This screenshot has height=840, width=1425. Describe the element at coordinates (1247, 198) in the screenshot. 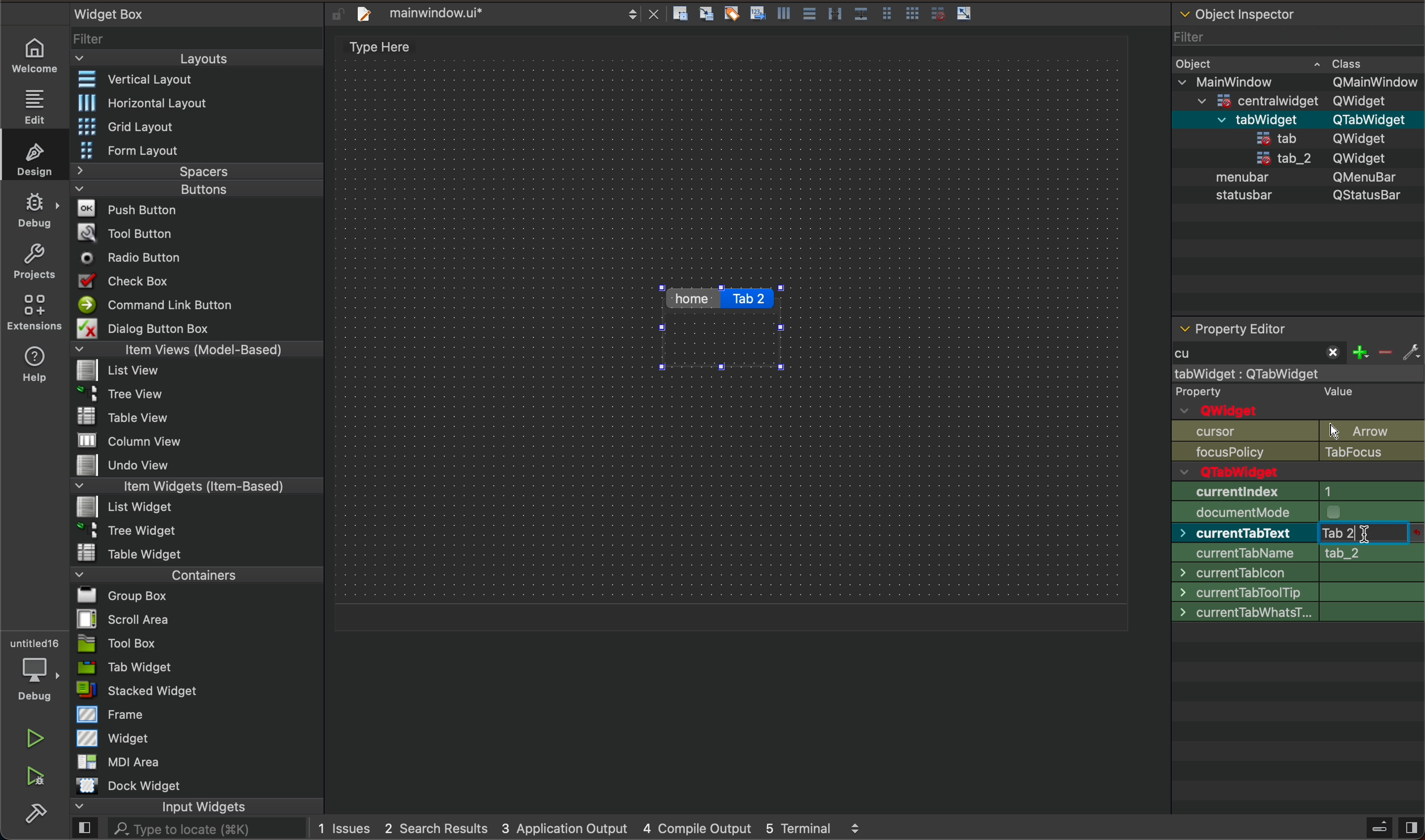

I see `statusbar` at that location.